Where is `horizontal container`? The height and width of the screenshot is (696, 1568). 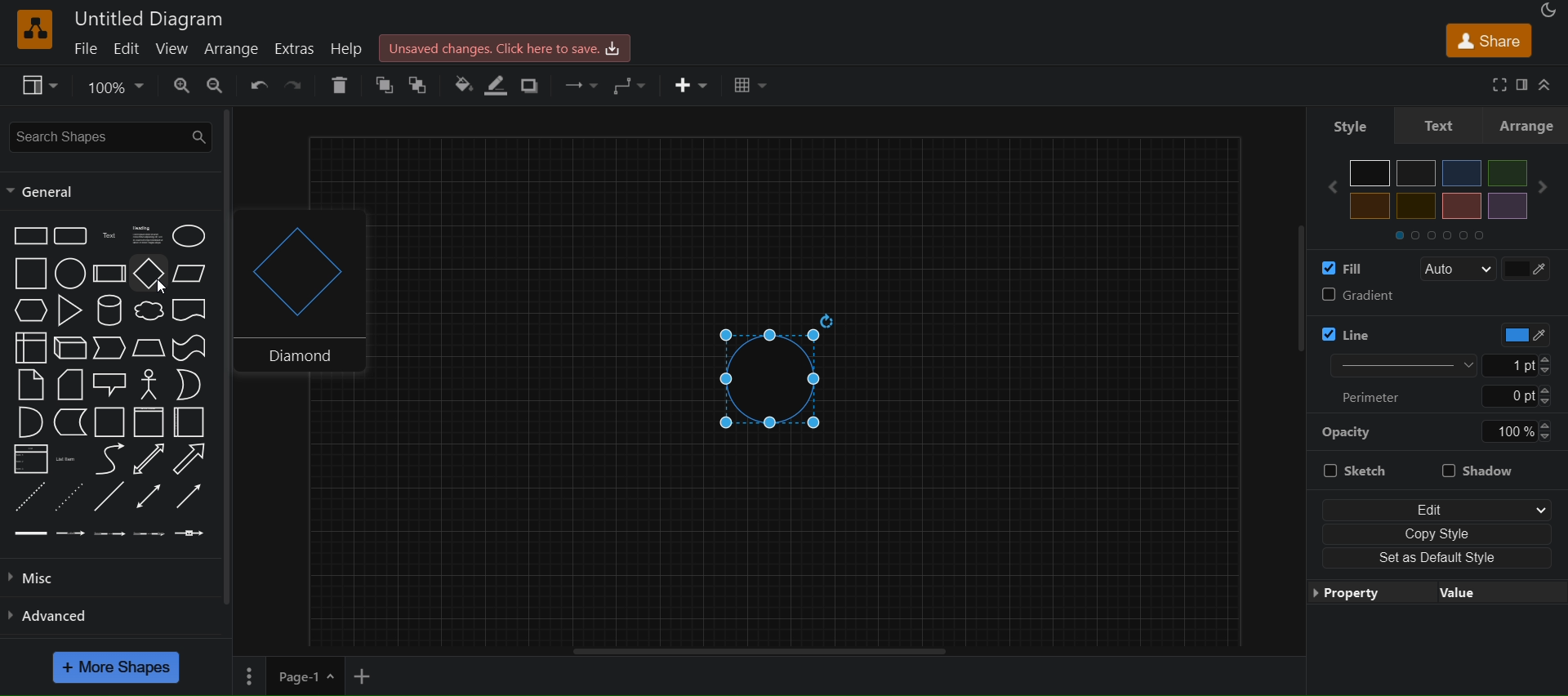 horizontal container is located at coordinates (189, 422).